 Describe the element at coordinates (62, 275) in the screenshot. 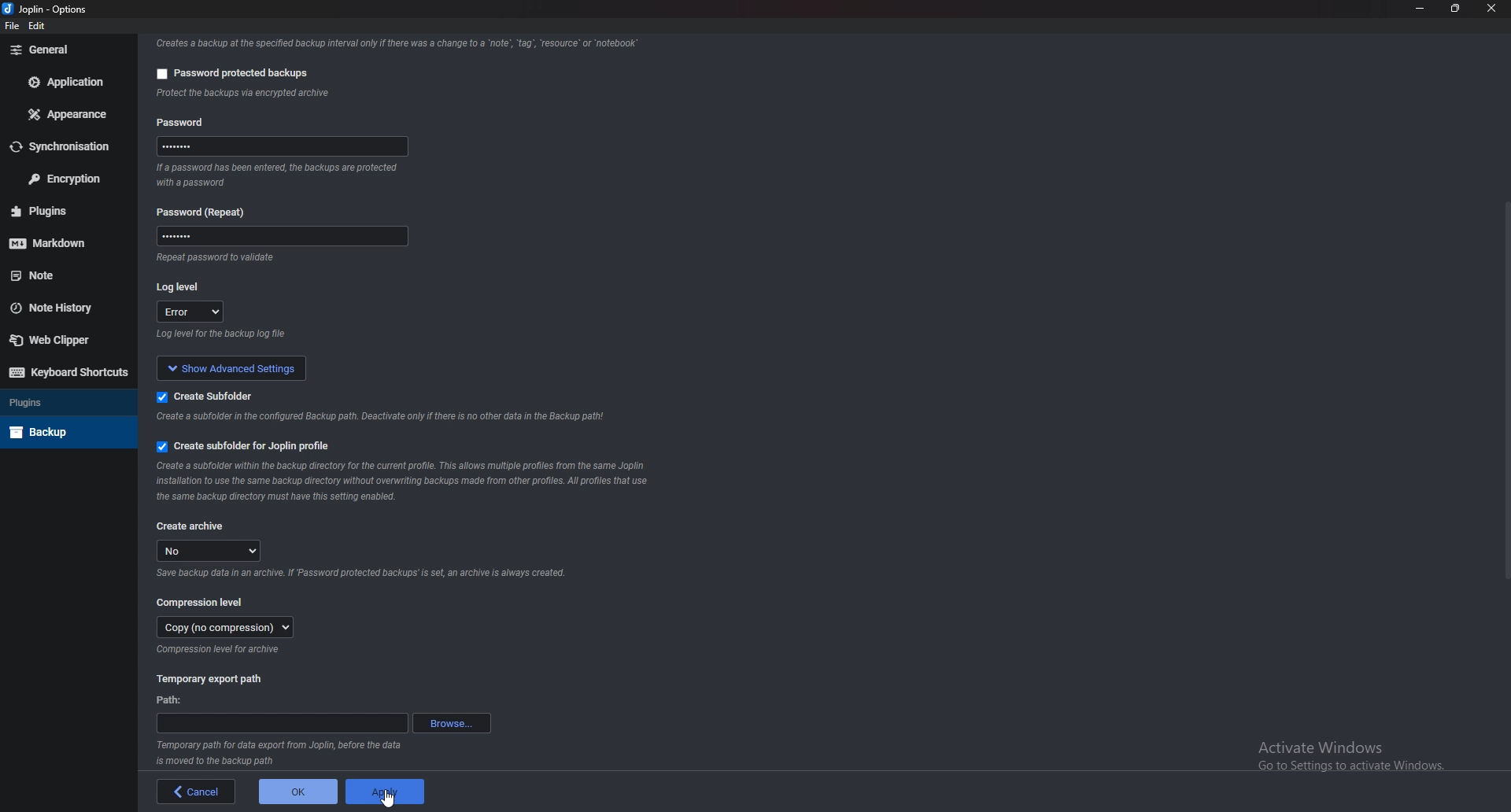

I see `note` at that location.